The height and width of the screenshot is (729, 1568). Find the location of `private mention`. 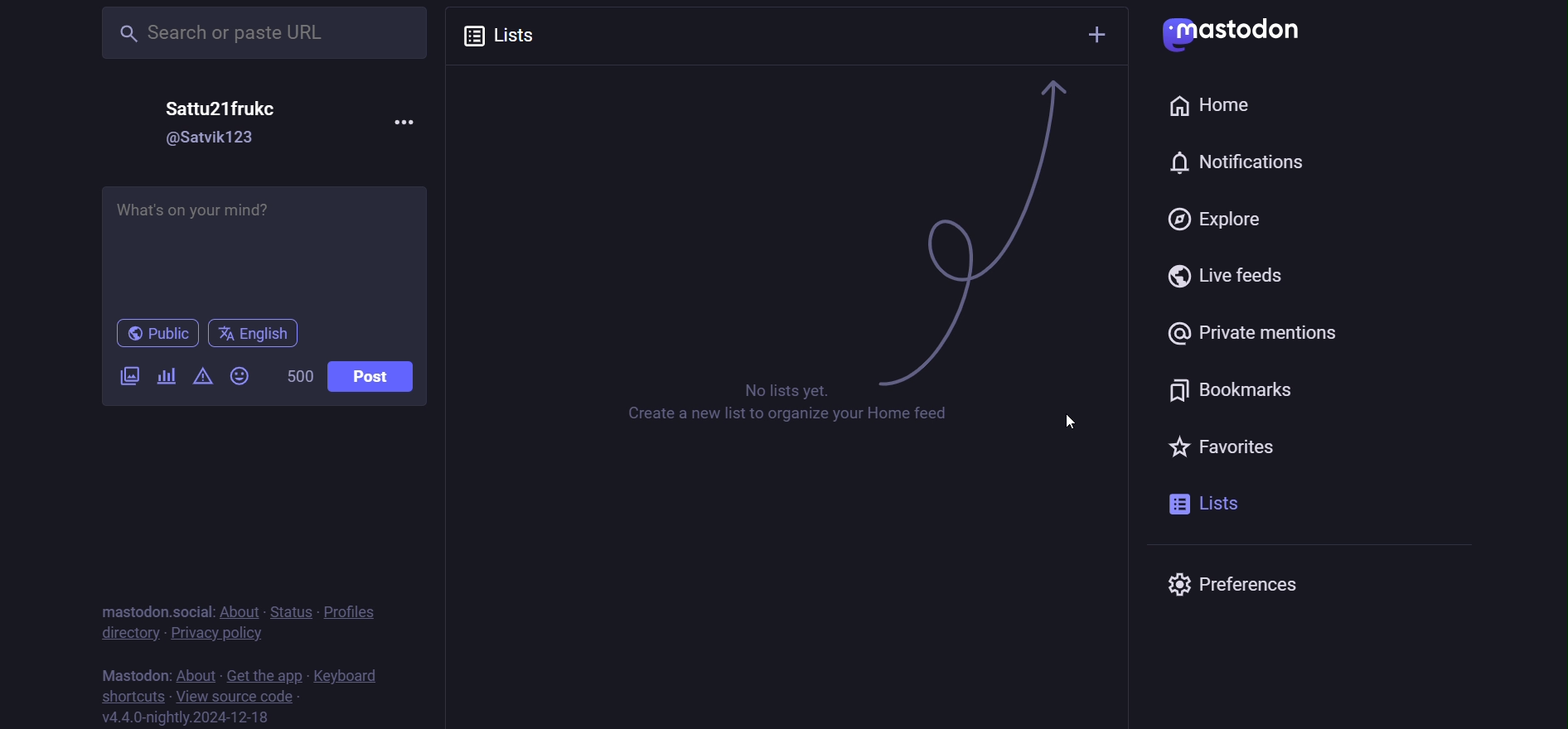

private mention is located at coordinates (1252, 334).